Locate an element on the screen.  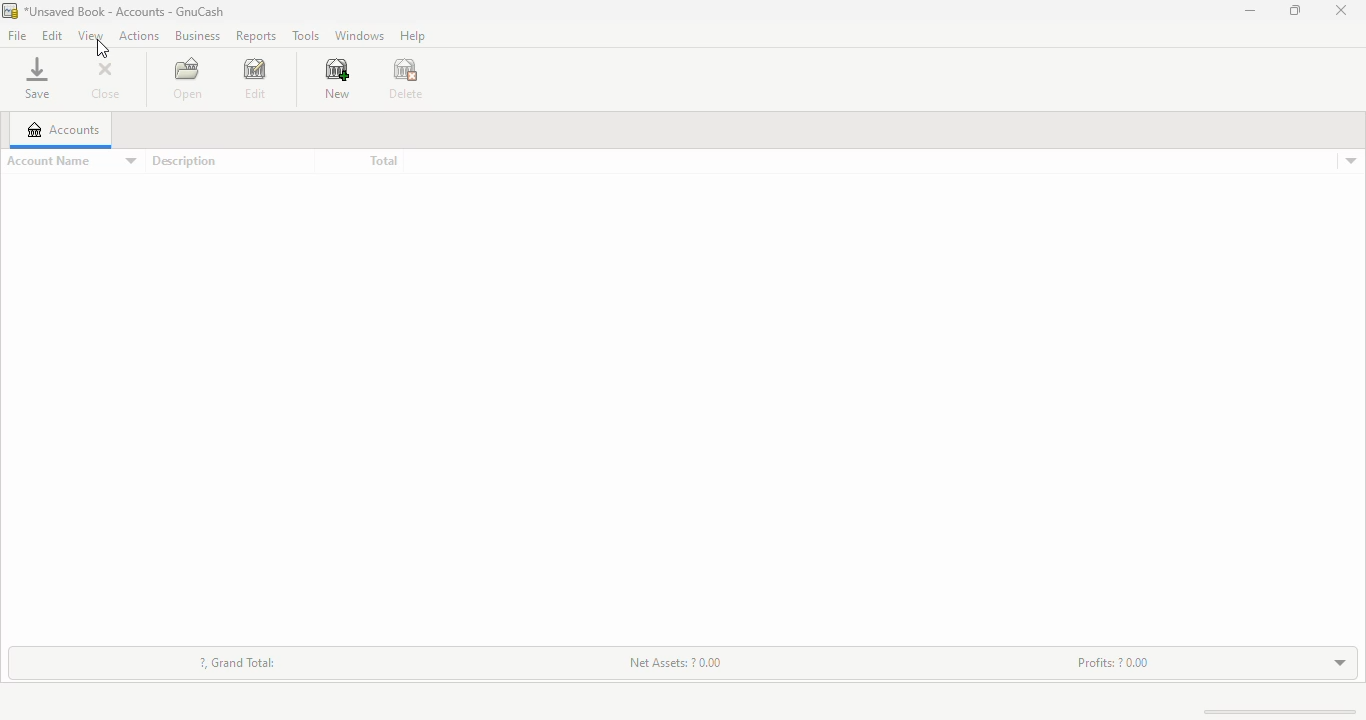
accounts is located at coordinates (63, 129).